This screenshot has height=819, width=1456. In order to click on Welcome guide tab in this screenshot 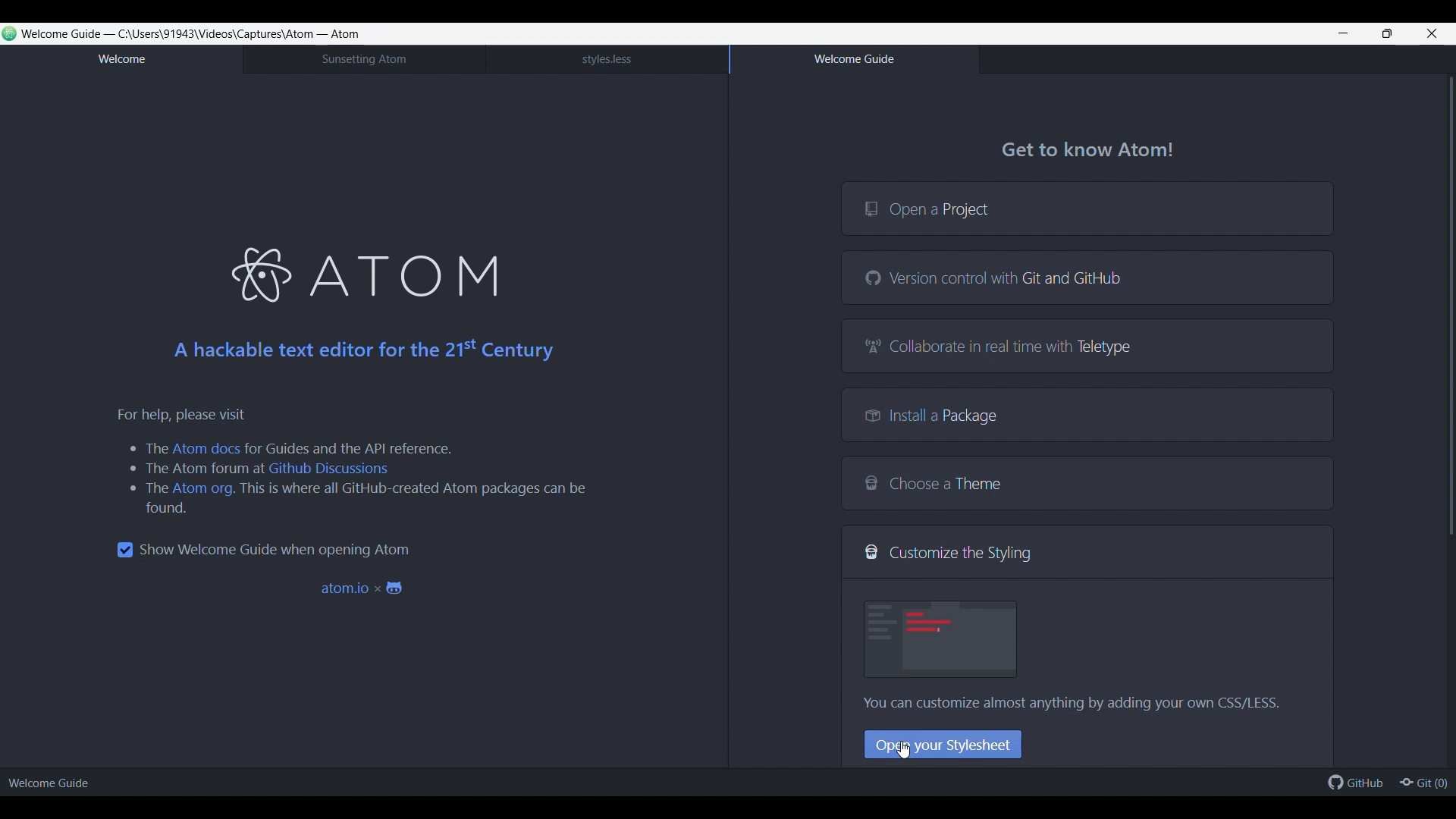, I will do `click(853, 59)`.